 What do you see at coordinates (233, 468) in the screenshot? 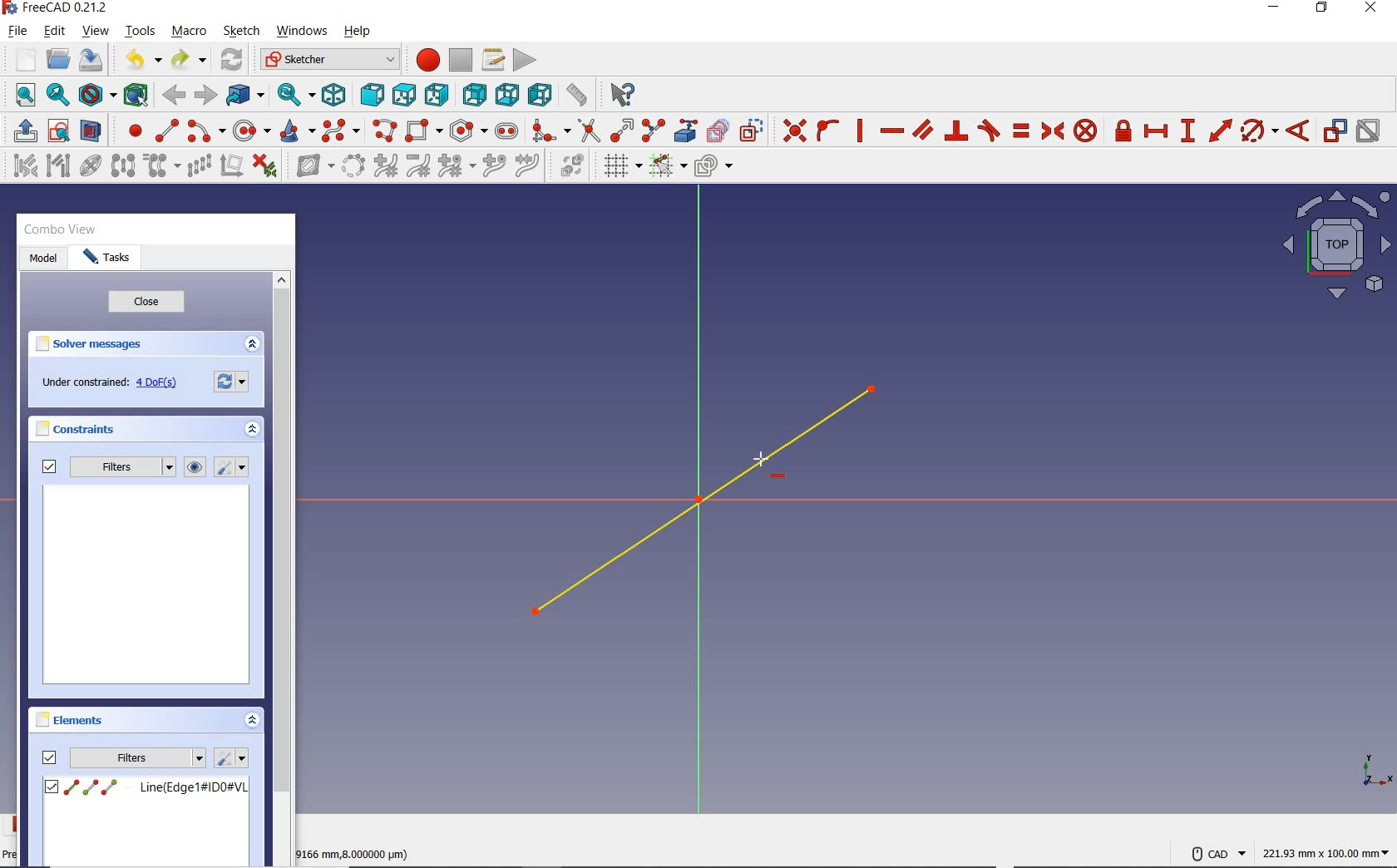
I see `SETTINGS` at bounding box center [233, 468].